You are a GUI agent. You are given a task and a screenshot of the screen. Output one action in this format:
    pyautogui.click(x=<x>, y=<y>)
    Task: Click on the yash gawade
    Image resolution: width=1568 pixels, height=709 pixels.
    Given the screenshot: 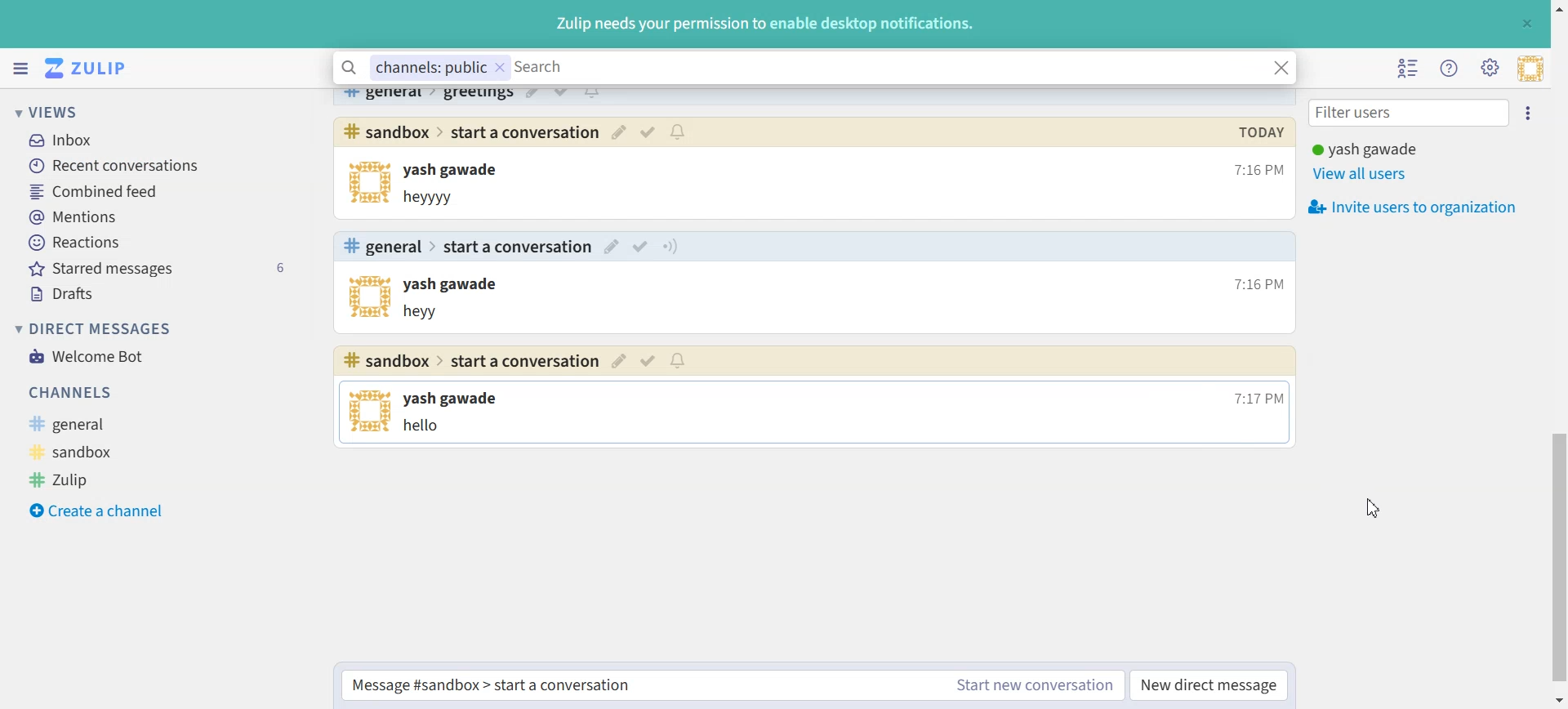 What is the action you would take?
    pyautogui.click(x=457, y=399)
    